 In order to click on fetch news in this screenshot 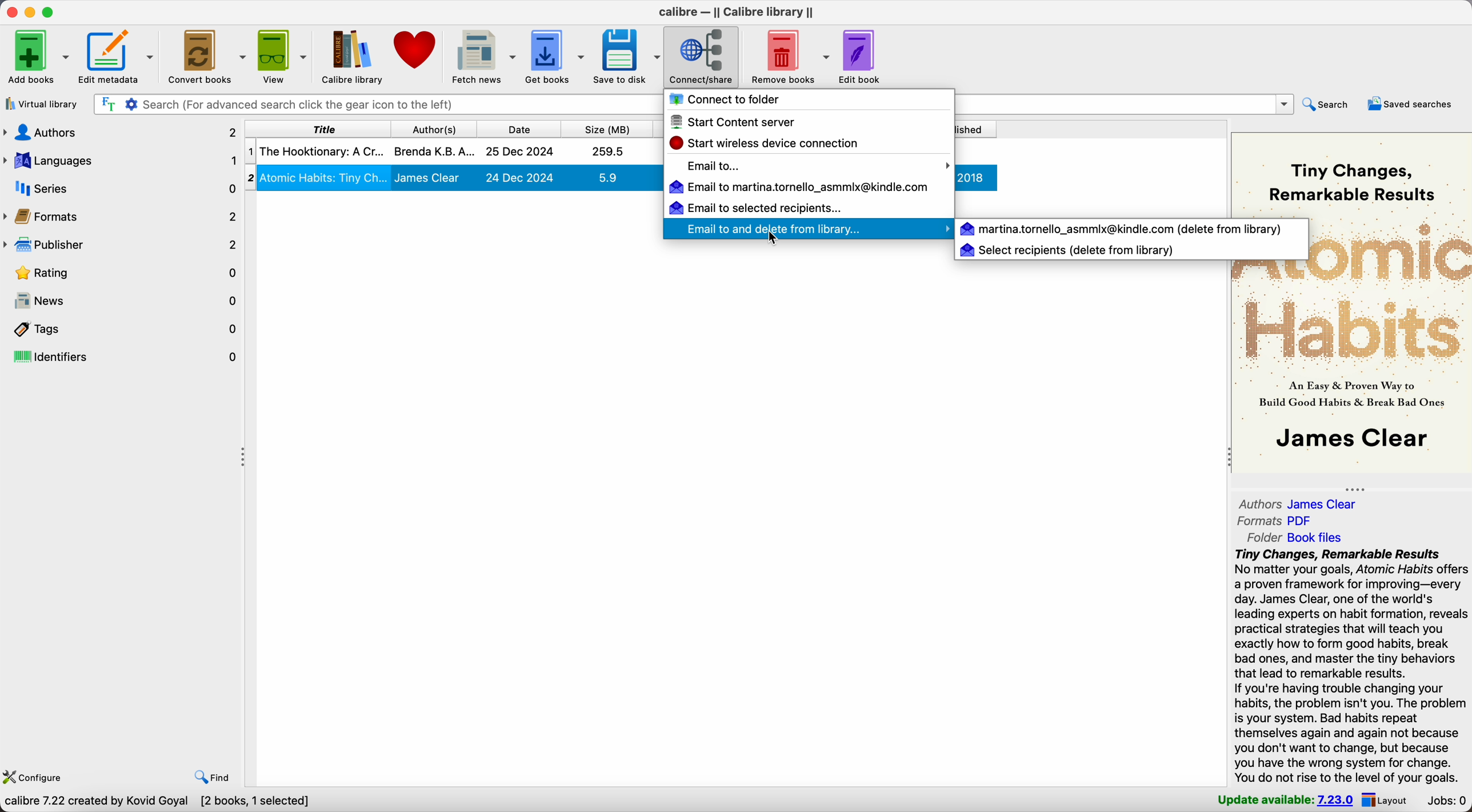, I will do `click(484, 56)`.